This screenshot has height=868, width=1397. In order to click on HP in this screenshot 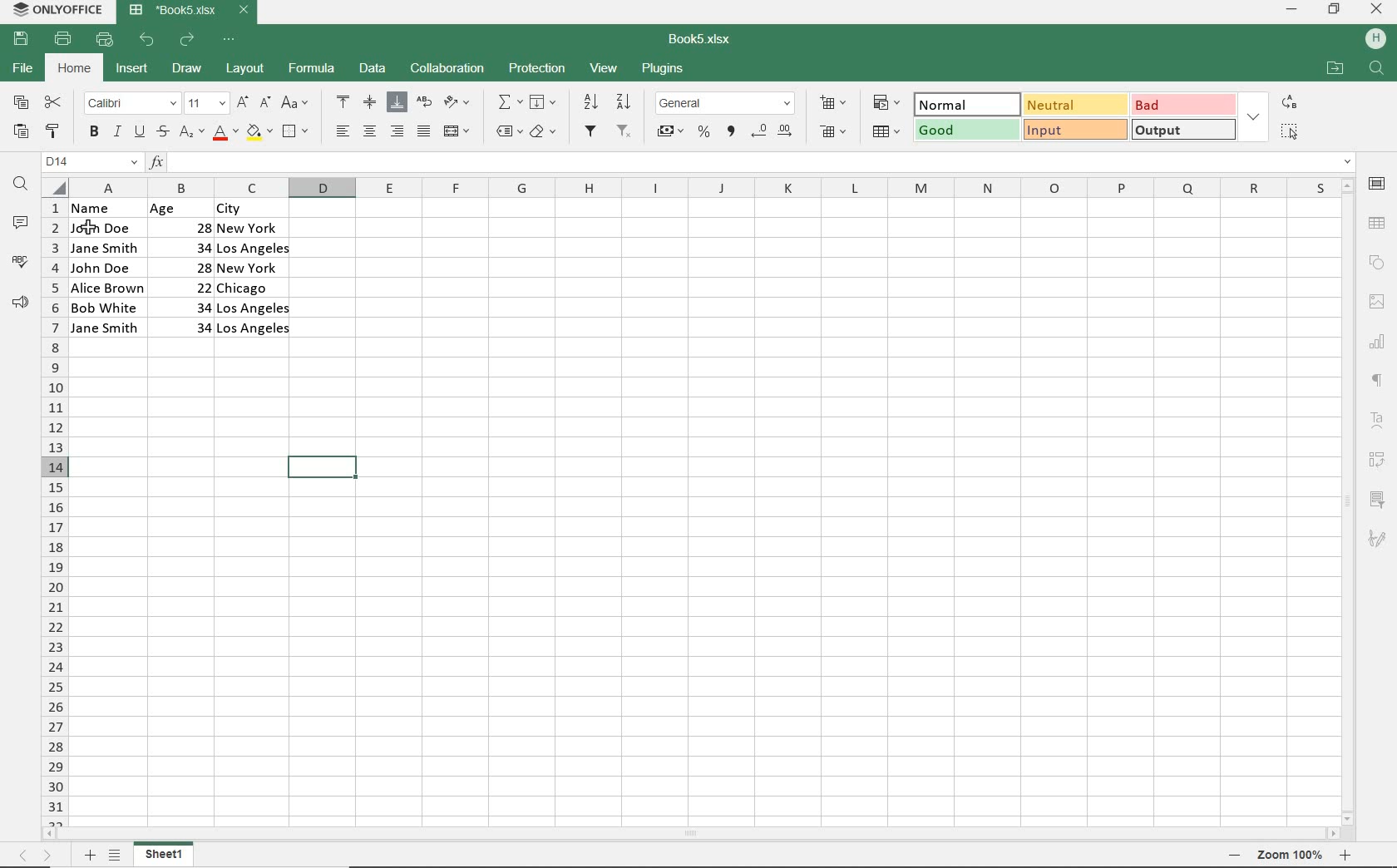, I will do `click(1375, 40)`.